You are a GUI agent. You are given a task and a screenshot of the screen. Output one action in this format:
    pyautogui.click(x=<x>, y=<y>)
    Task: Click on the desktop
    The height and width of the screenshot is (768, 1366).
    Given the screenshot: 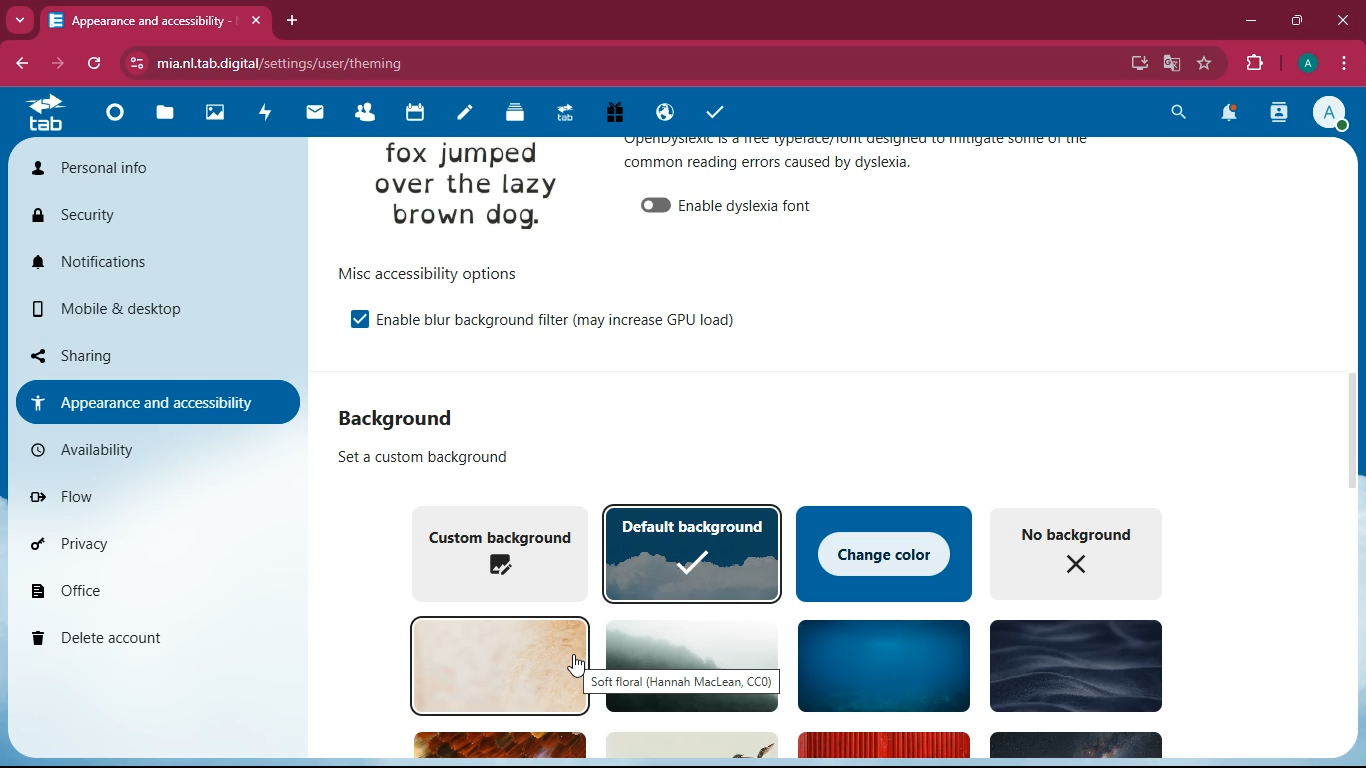 What is the action you would take?
    pyautogui.click(x=1128, y=61)
    